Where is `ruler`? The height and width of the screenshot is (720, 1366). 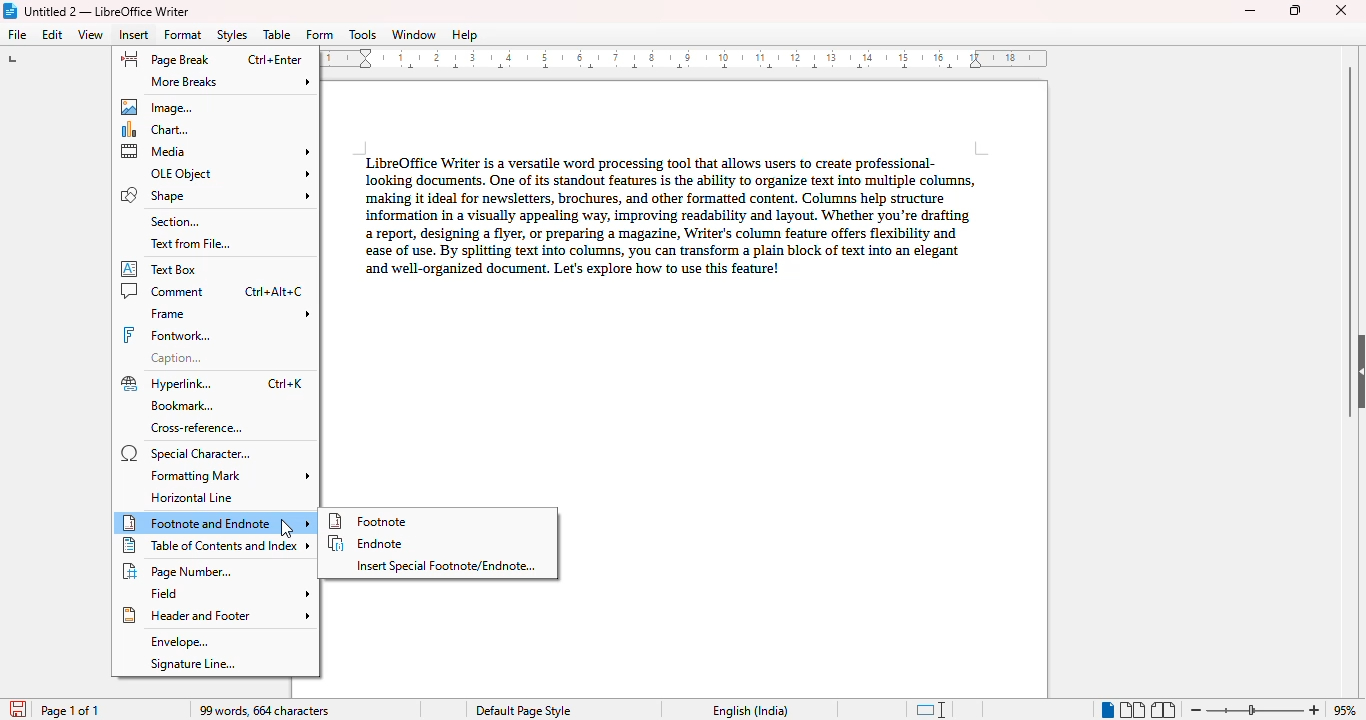 ruler is located at coordinates (676, 58).